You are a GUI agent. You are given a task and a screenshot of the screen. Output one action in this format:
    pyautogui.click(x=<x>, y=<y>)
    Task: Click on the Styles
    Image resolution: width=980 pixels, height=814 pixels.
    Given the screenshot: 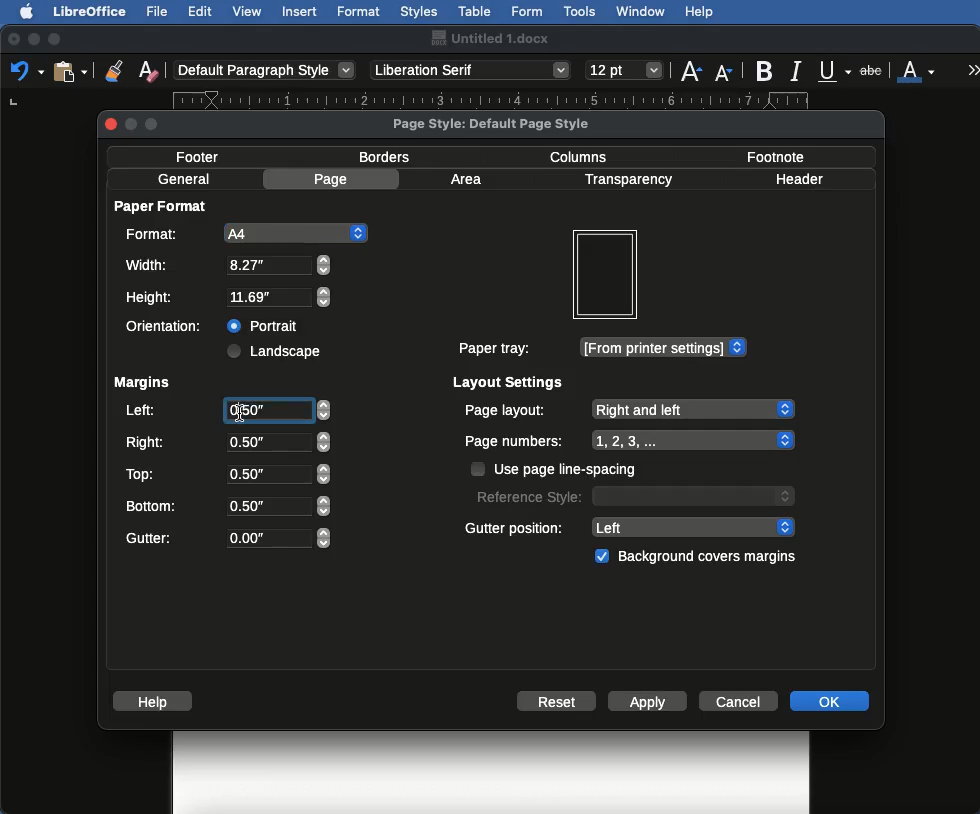 What is the action you would take?
    pyautogui.click(x=418, y=11)
    